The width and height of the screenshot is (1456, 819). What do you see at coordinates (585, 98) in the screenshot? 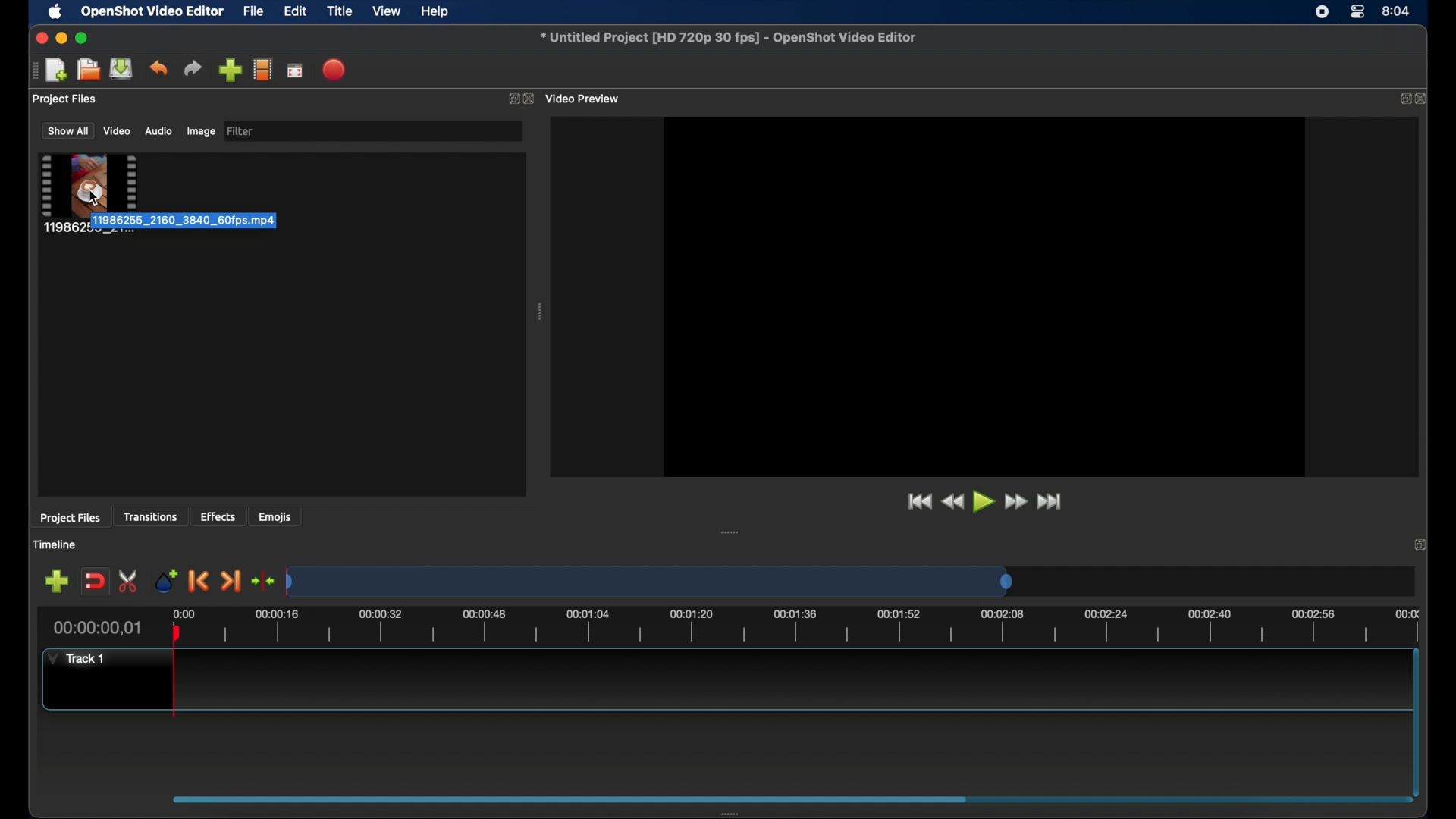
I see `video preview` at bounding box center [585, 98].